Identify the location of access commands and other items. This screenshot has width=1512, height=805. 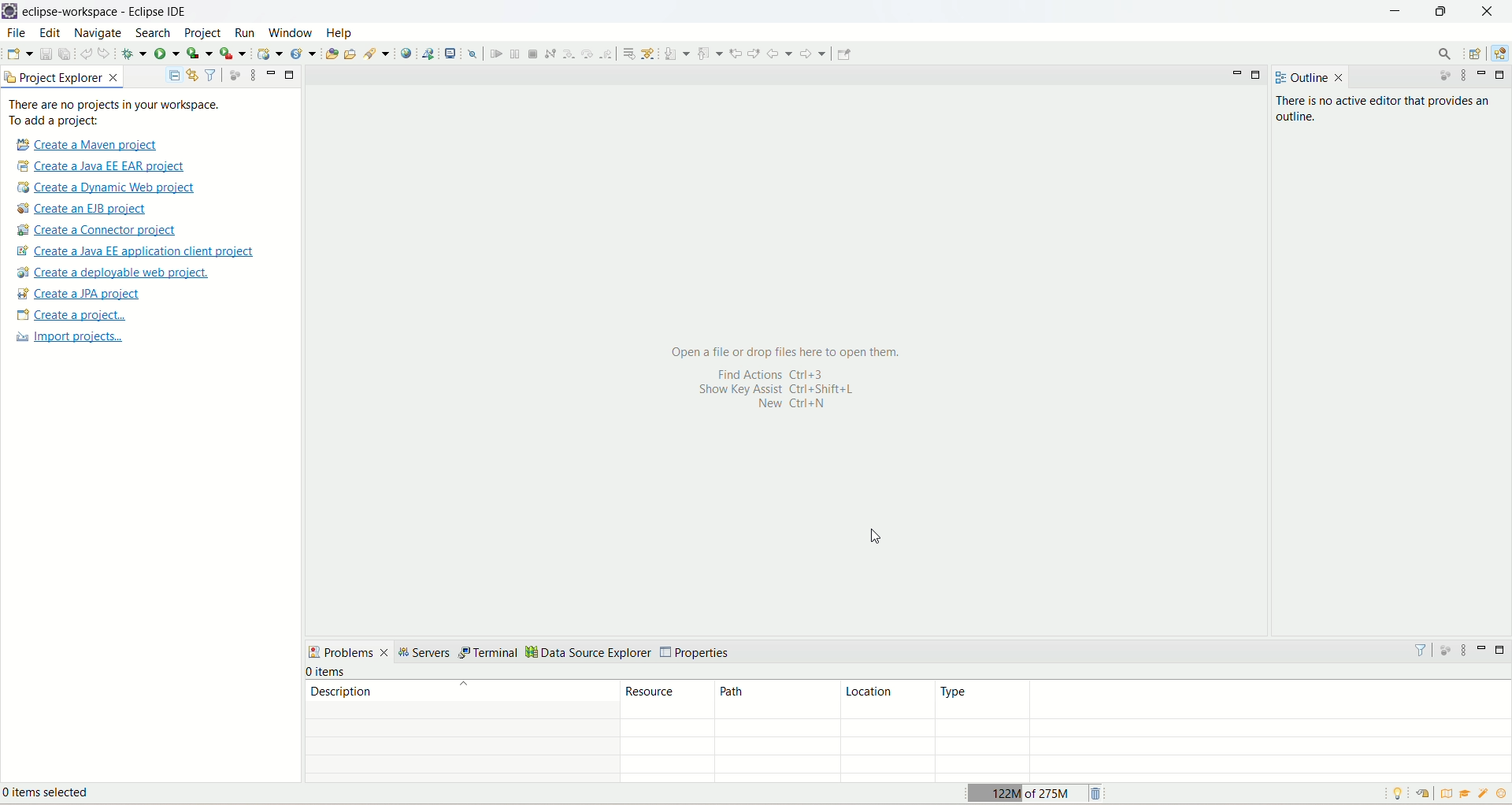
(1443, 54).